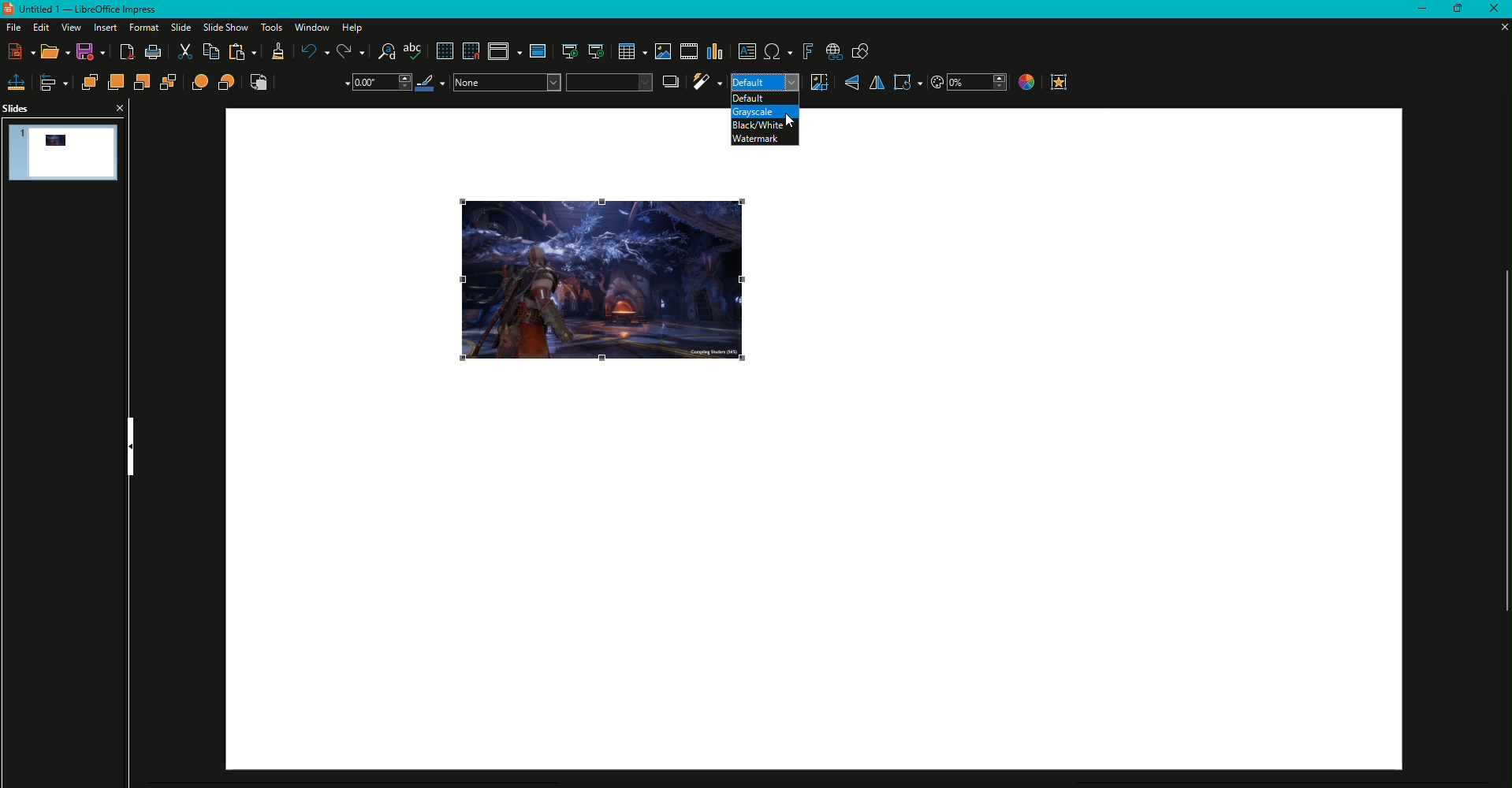 The height and width of the screenshot is (788, 1512). Describe the element at coordinates (201, 83) in the screenshot. I see `In front` at that location.